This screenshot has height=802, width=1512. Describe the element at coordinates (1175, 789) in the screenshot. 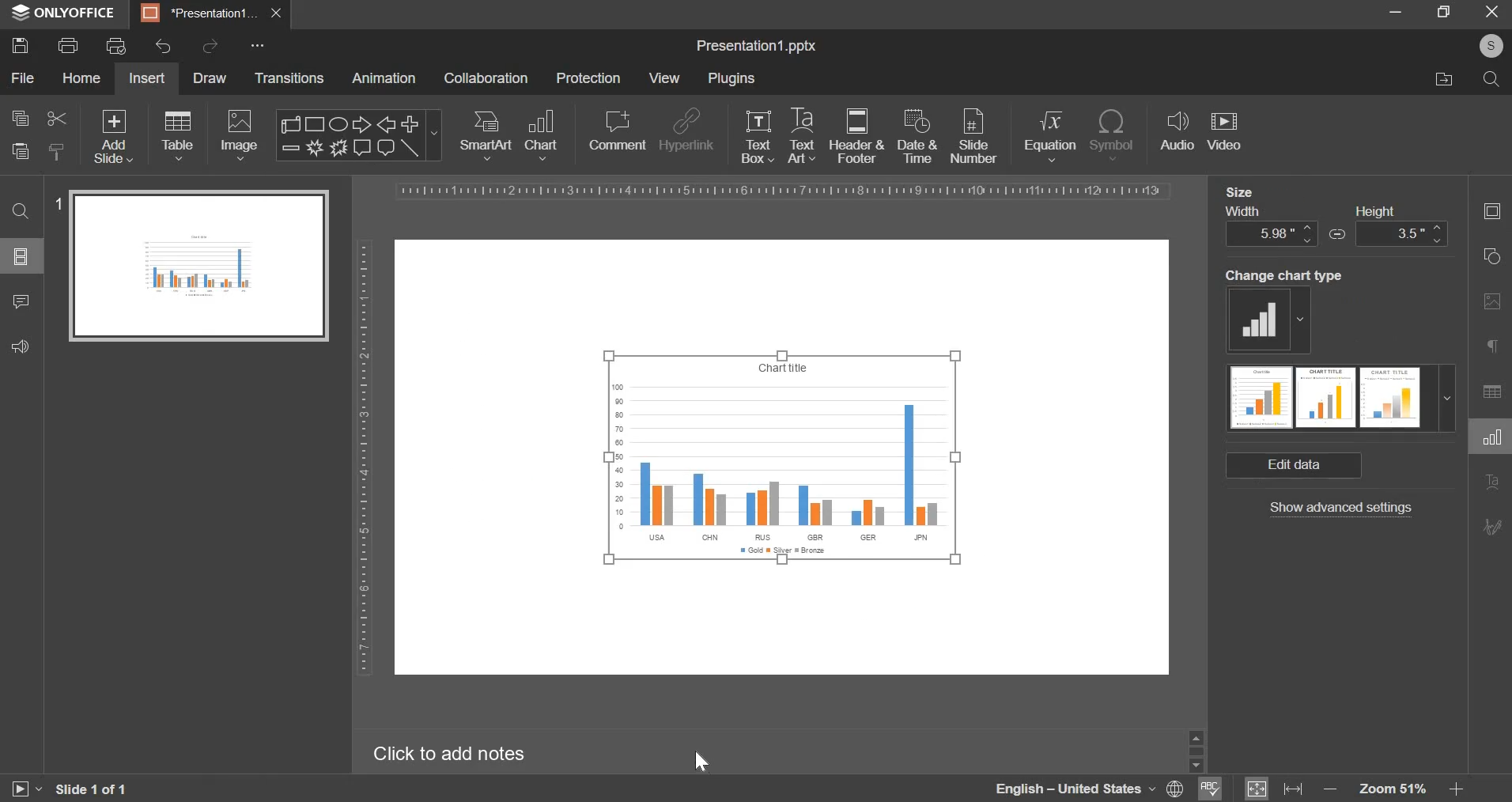

I see `set document language` at that location.